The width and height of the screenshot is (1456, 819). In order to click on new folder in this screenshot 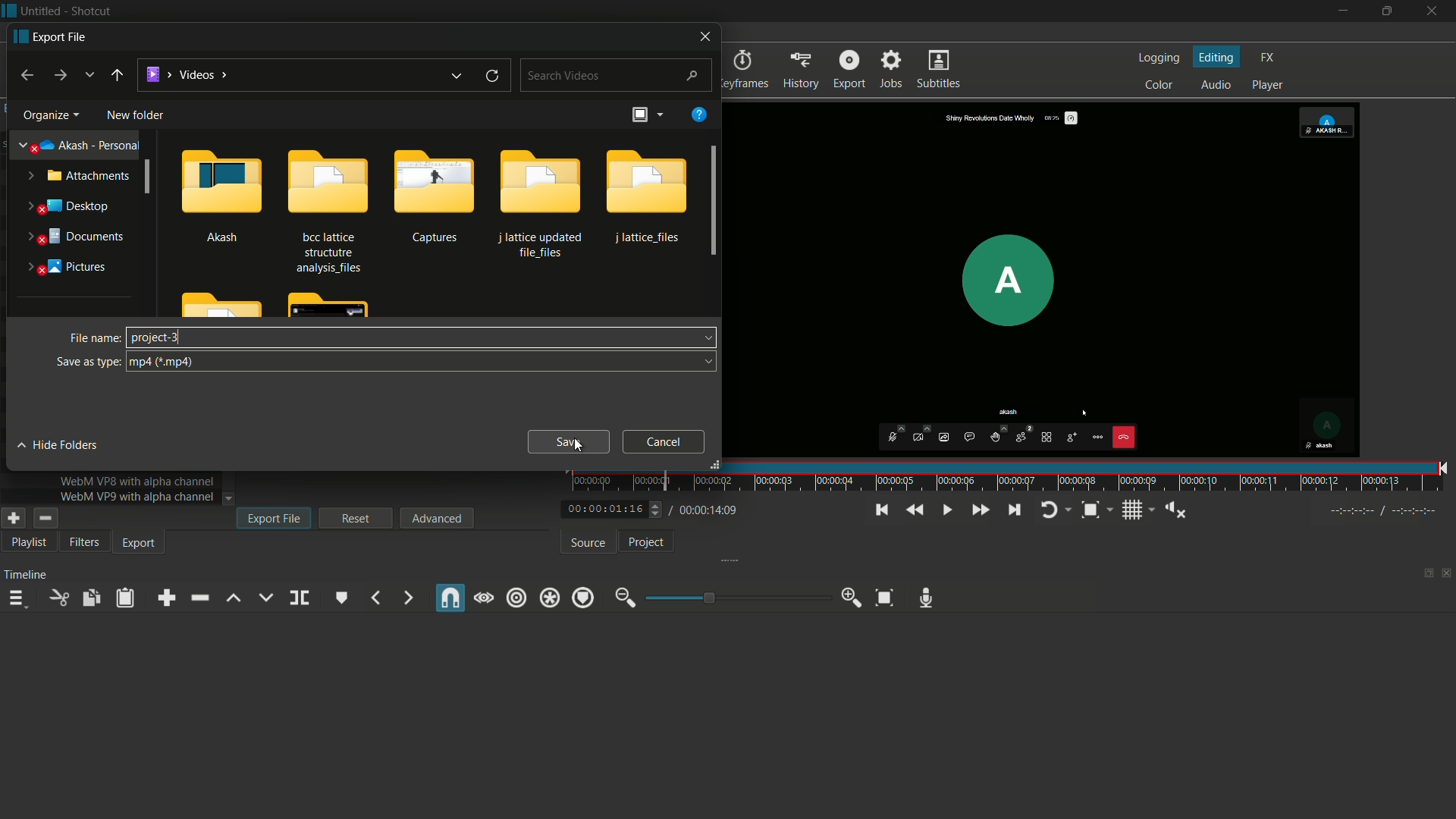, I will do `click(136, 115)`.